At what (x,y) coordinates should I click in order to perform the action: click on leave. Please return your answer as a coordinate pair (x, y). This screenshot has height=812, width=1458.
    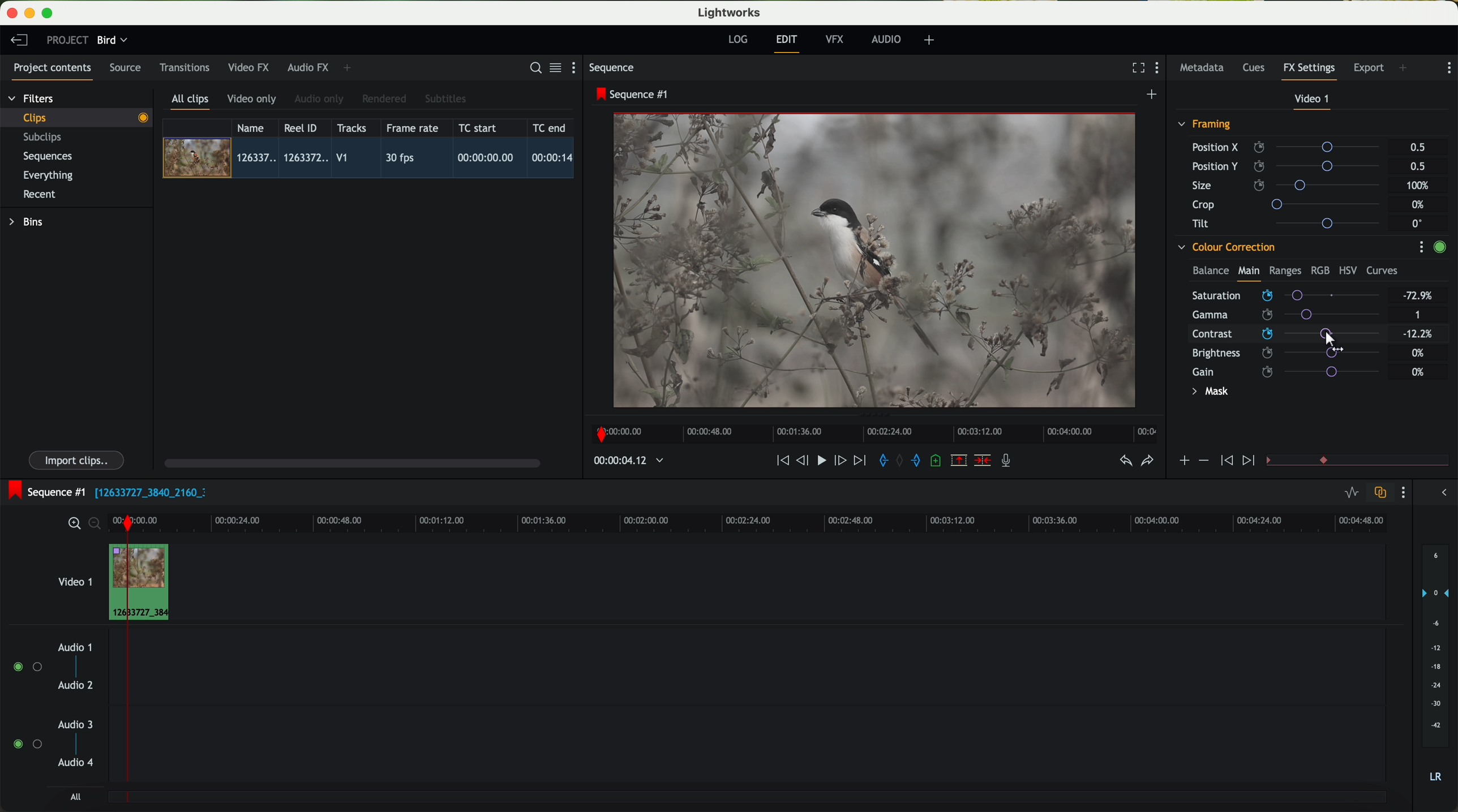
    Looking at the image, I should click on (19, 41).